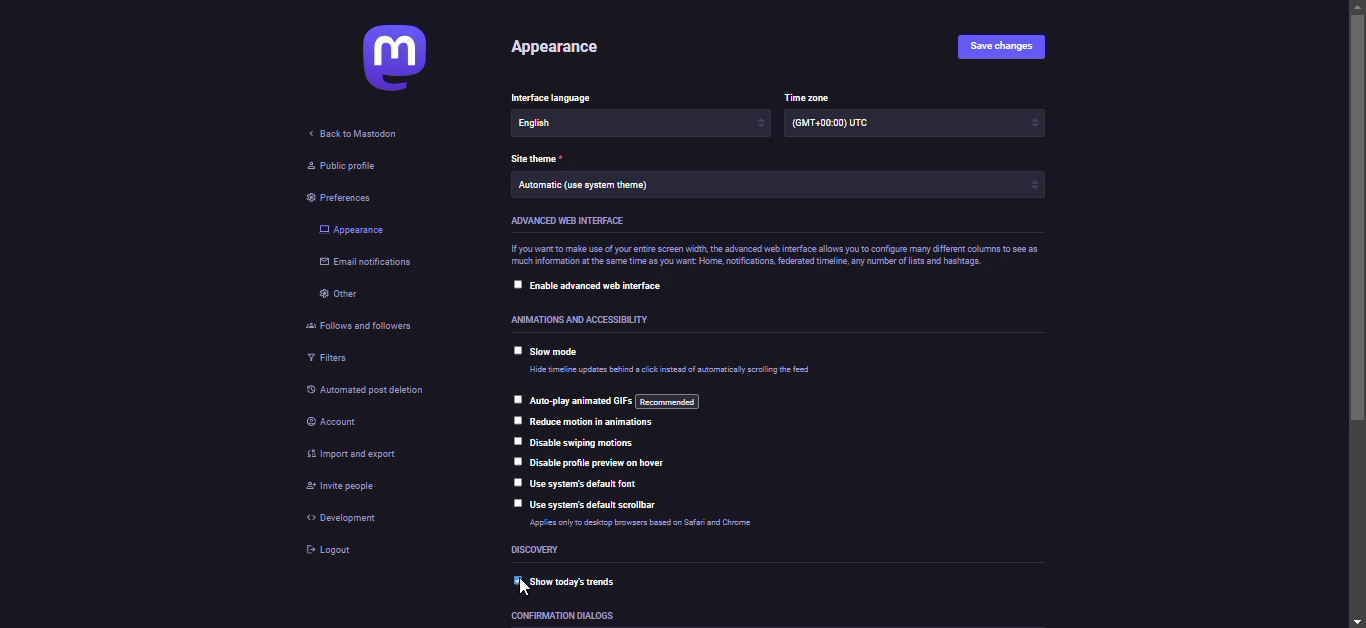 The height and width of the screenshot is (628, 1366). I want to click on accessibility, so click(573, 320).